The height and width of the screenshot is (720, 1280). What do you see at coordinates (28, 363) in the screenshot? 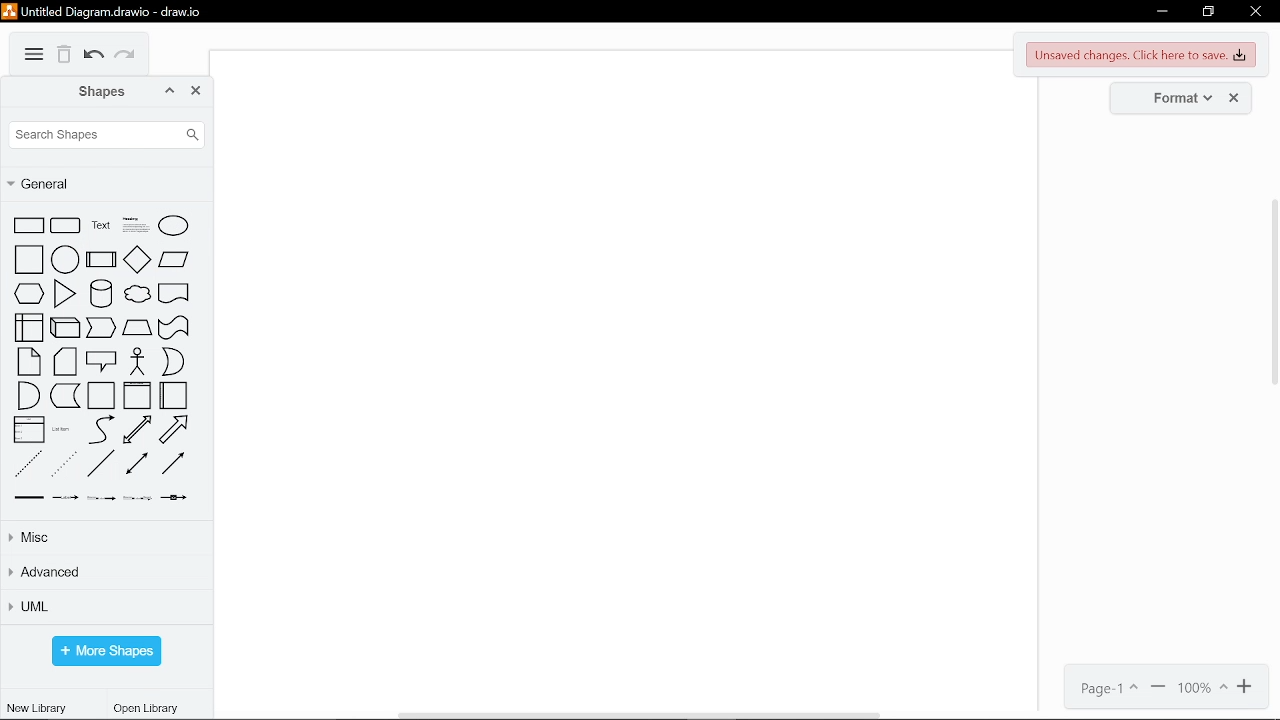
I see `note` at bounding box center [28, 363].